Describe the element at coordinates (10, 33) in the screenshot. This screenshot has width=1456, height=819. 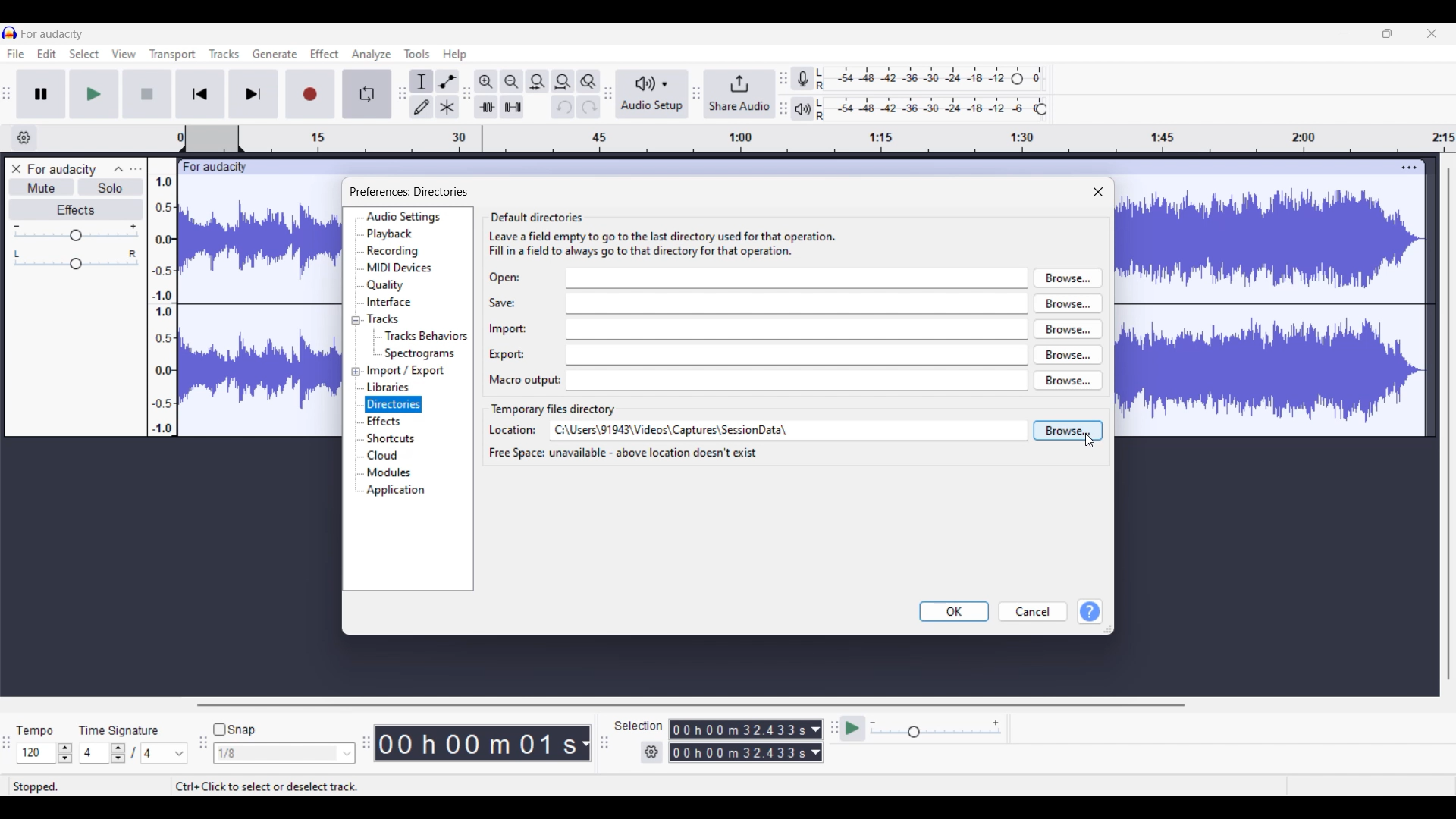
I see `Software logo` at that location.